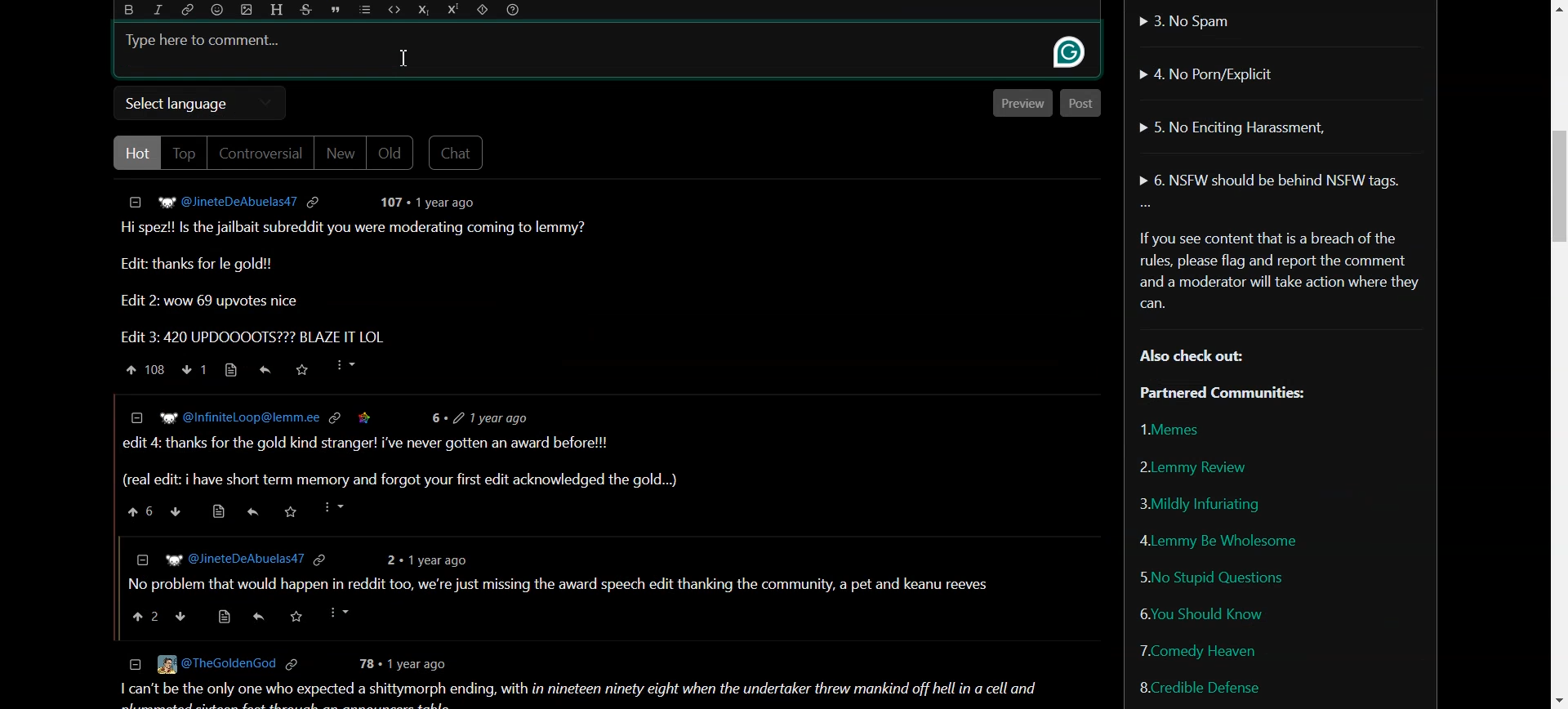 This screenshot has height=709, width=1568. What do you see at coordinates (130, 10) in the screenshot?
I see `Bold` at bounding box center [130, 10].